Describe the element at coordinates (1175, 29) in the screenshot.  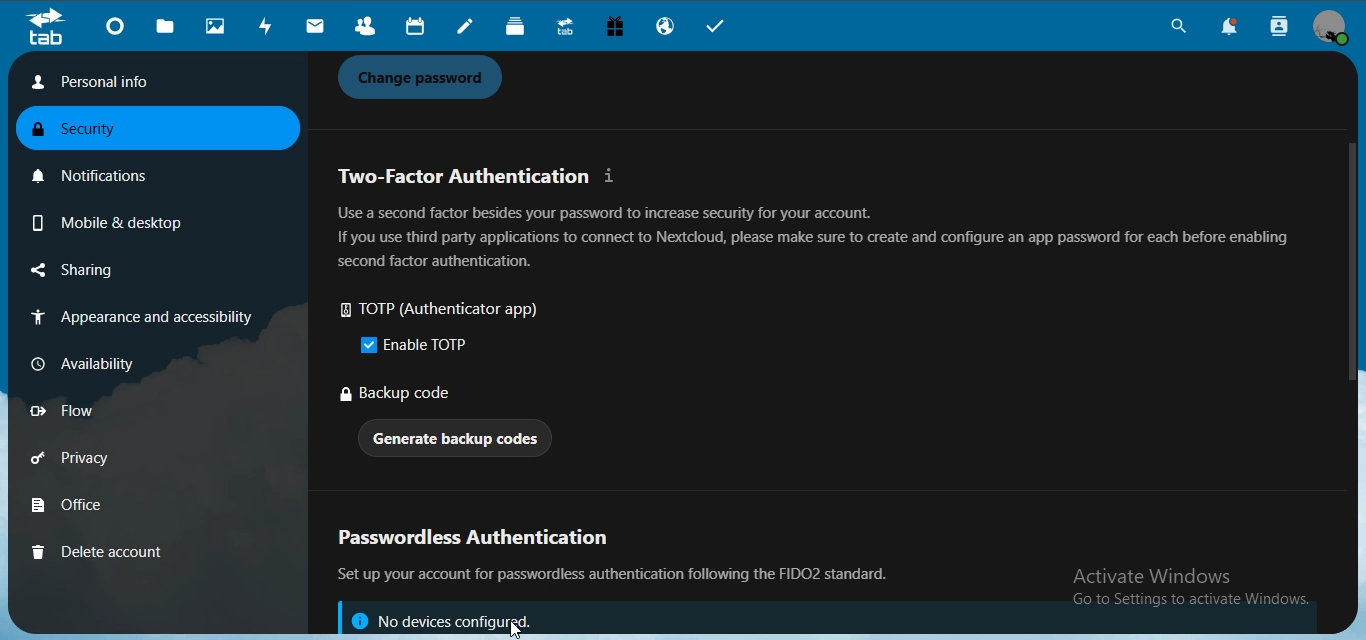
I see `search` at that location.